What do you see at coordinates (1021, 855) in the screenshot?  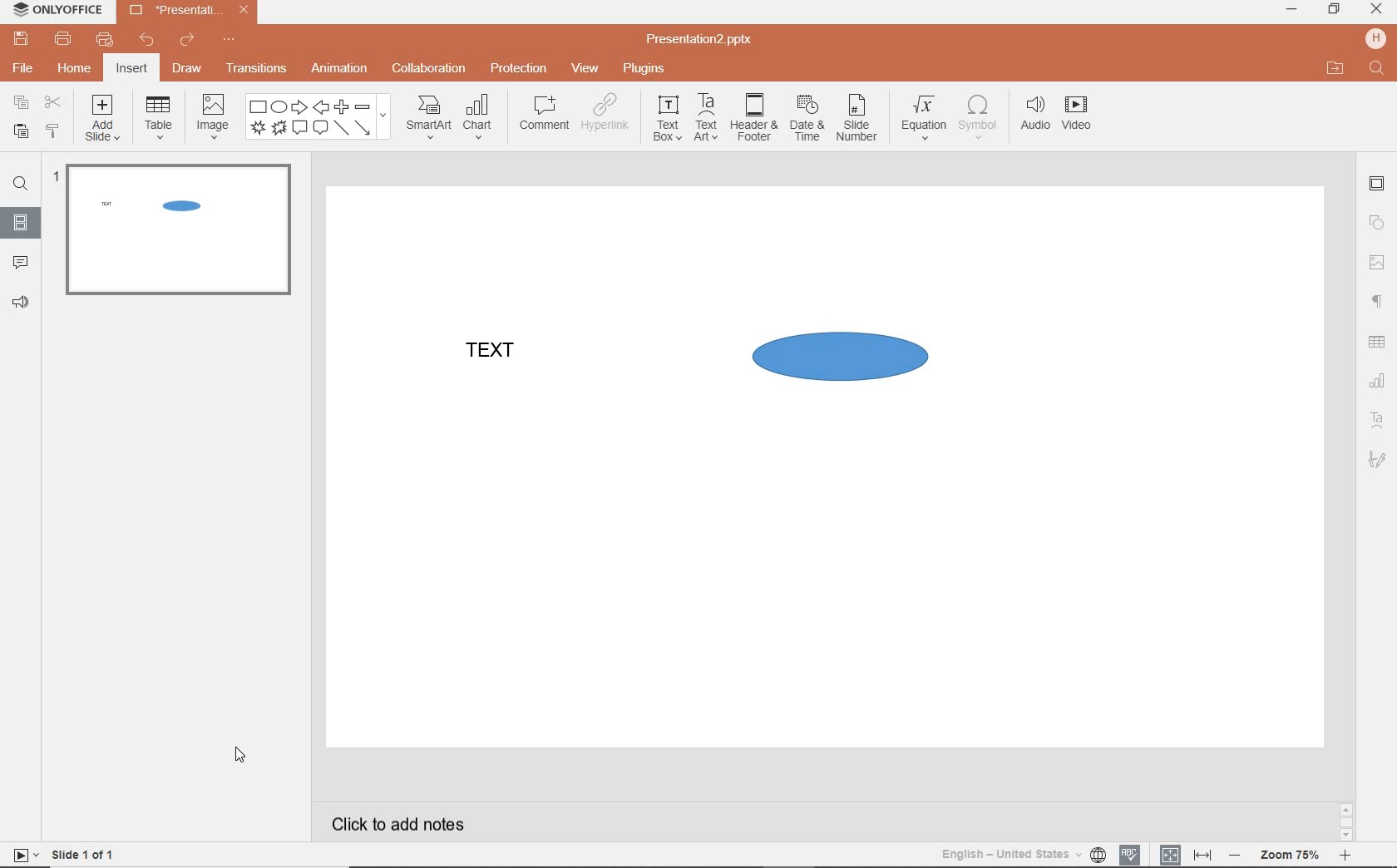 I see `TEXT LANGUAGE` at bounding box center [1021, 855].